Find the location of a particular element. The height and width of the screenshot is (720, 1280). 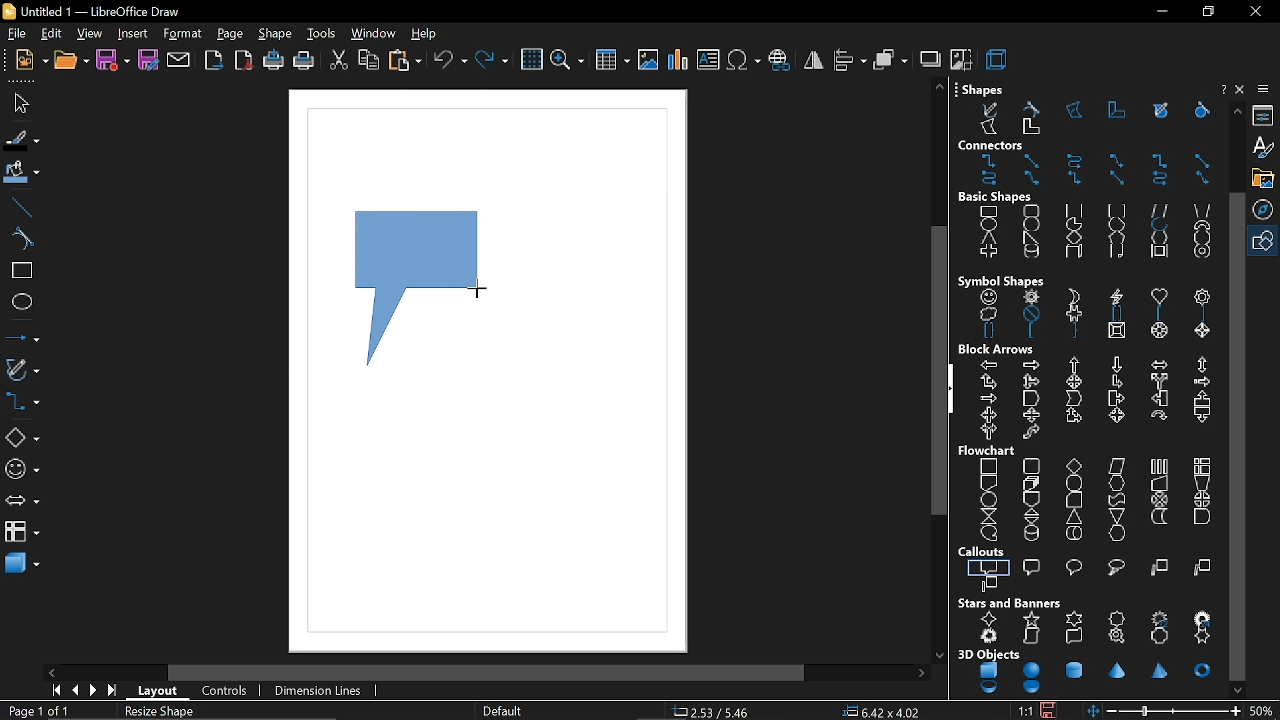

internal storage is located at coordinates (1203, 465).